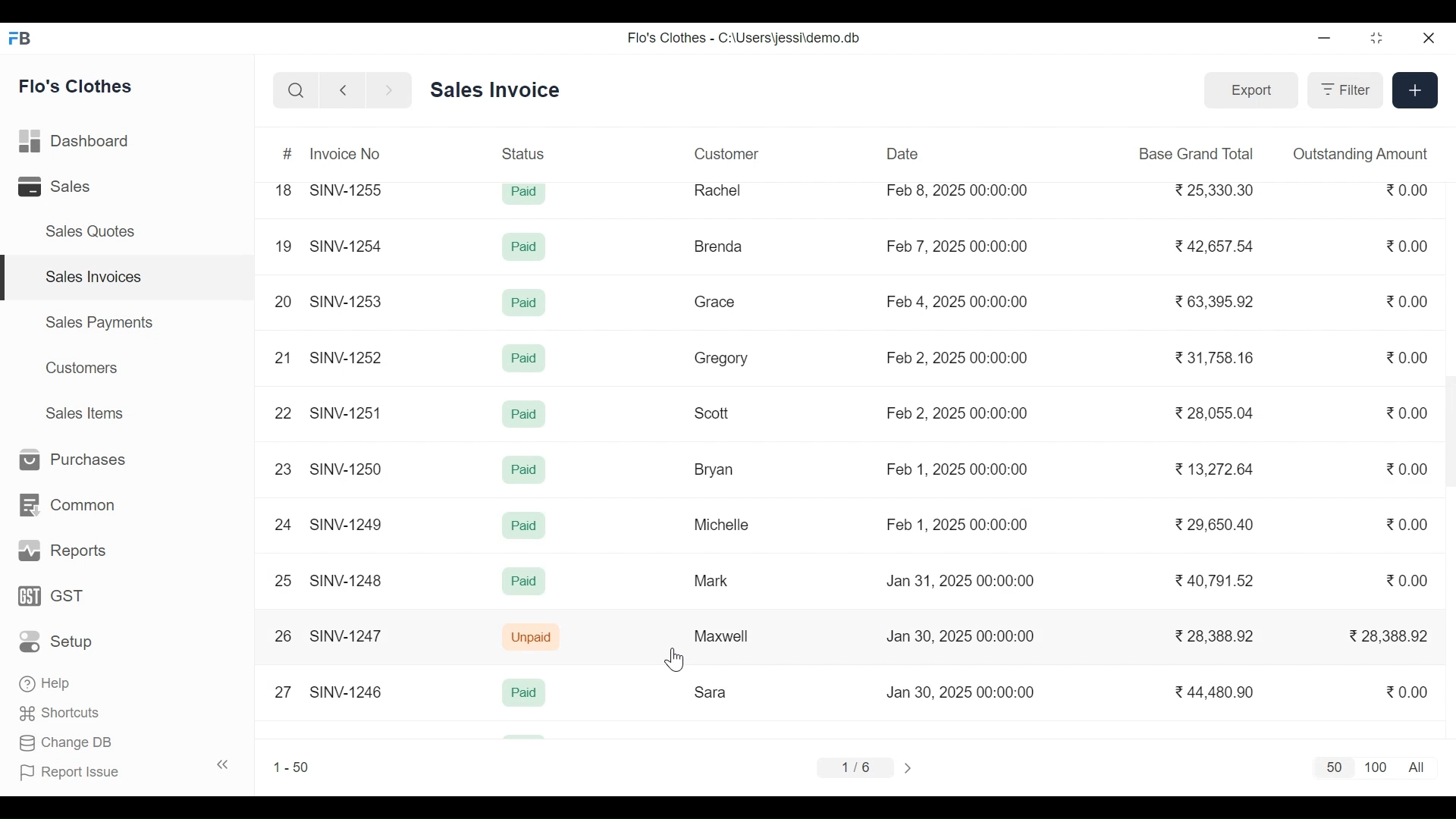  Describe the element at coordinates (1324, 39) in the screenshot. I see `Minimize` at that location.